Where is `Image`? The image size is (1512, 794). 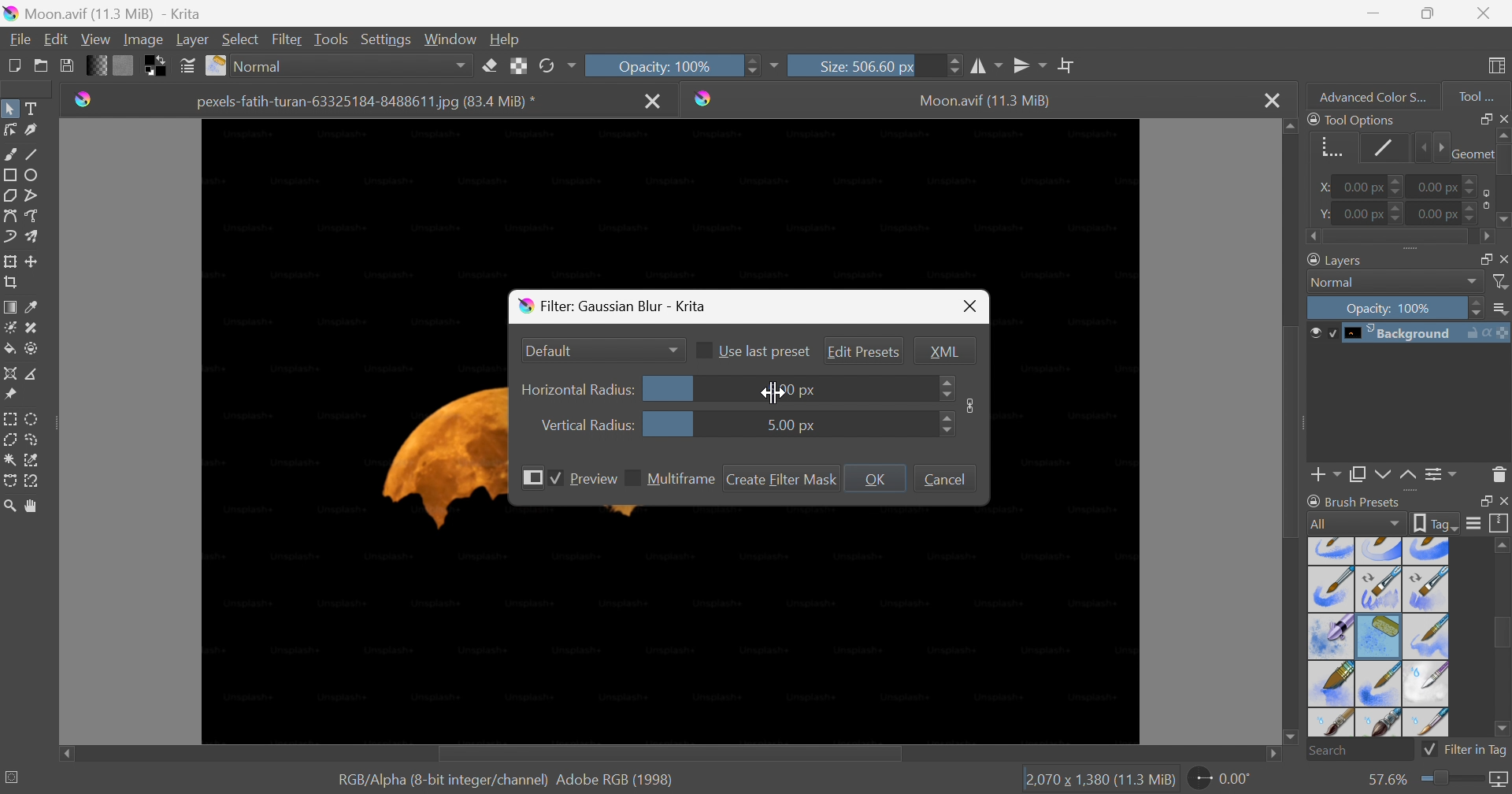 Image is located at coordinates (142, 40).